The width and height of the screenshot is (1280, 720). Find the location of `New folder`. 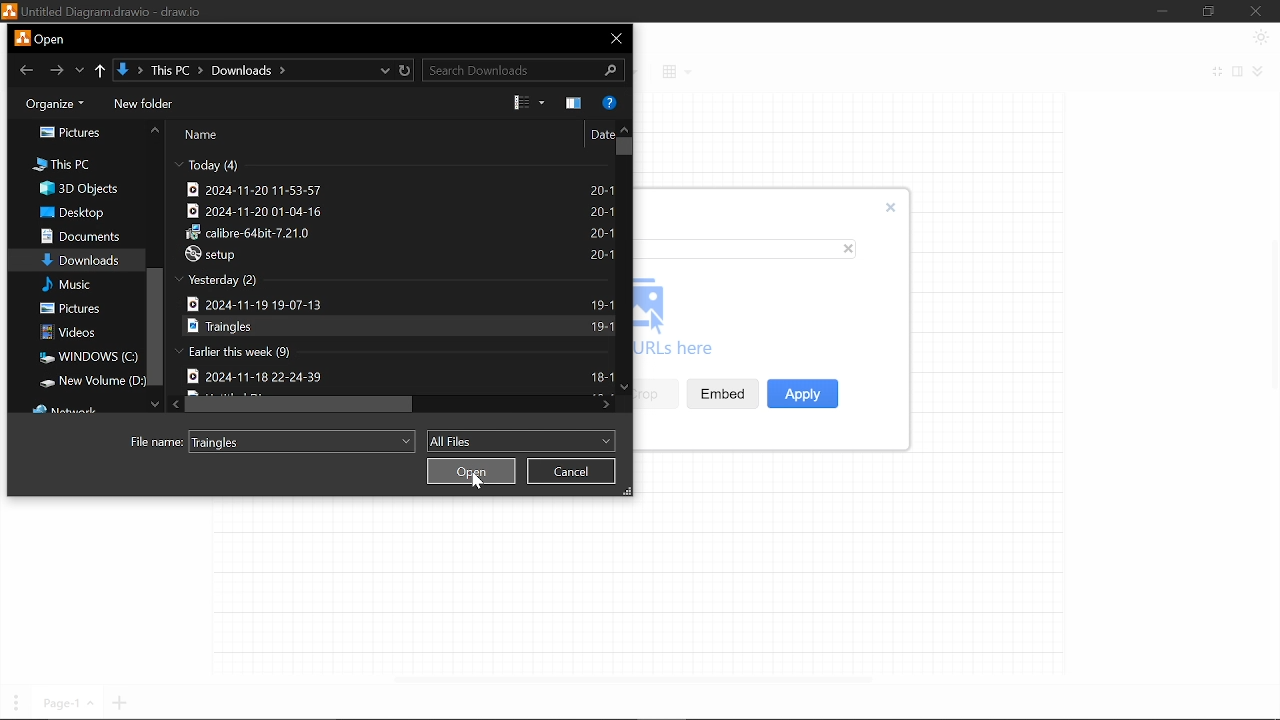

New folder is located at coordinates (142, 105).